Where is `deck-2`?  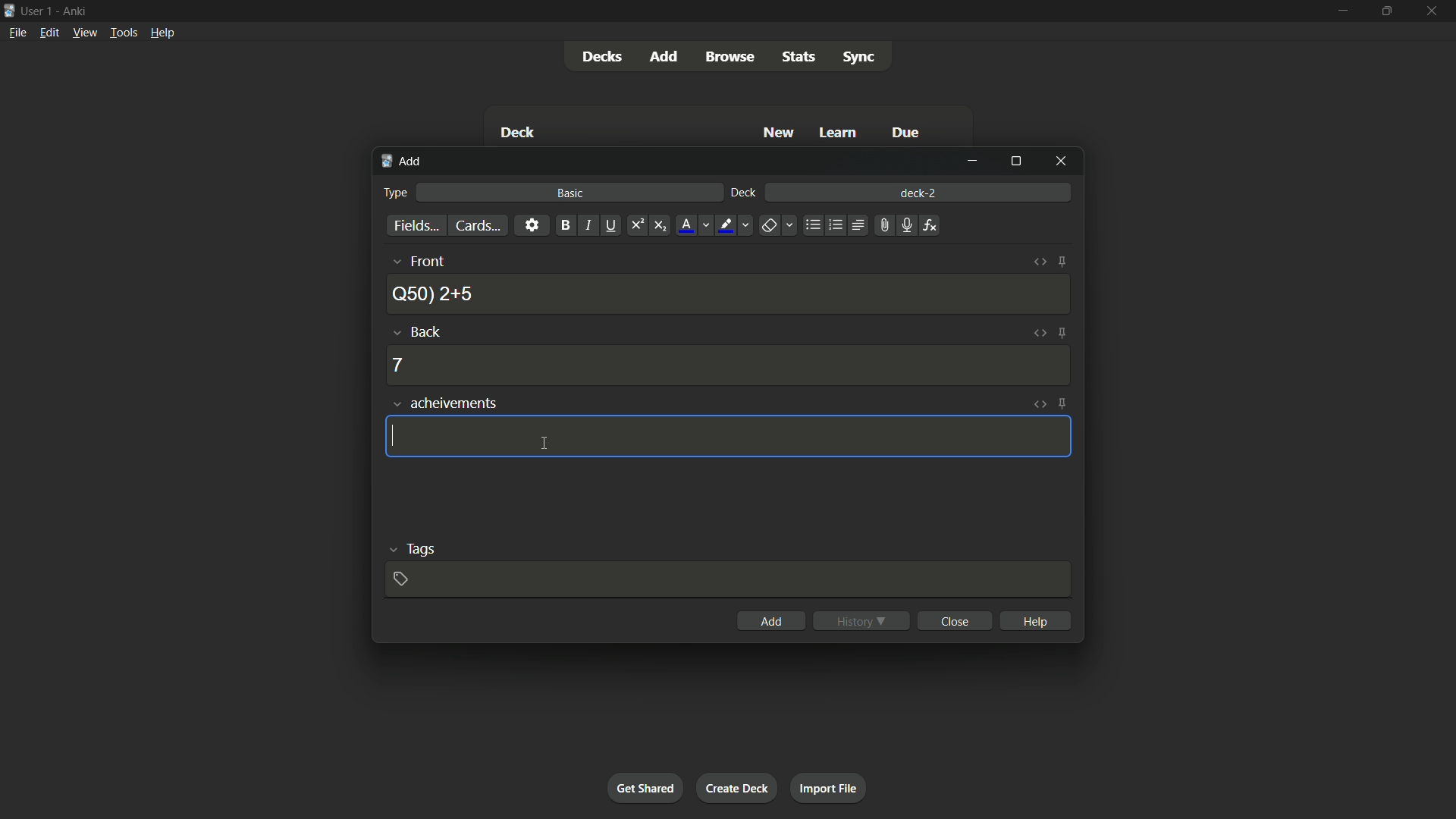 deck-2 is located at coordinates (920, 192).